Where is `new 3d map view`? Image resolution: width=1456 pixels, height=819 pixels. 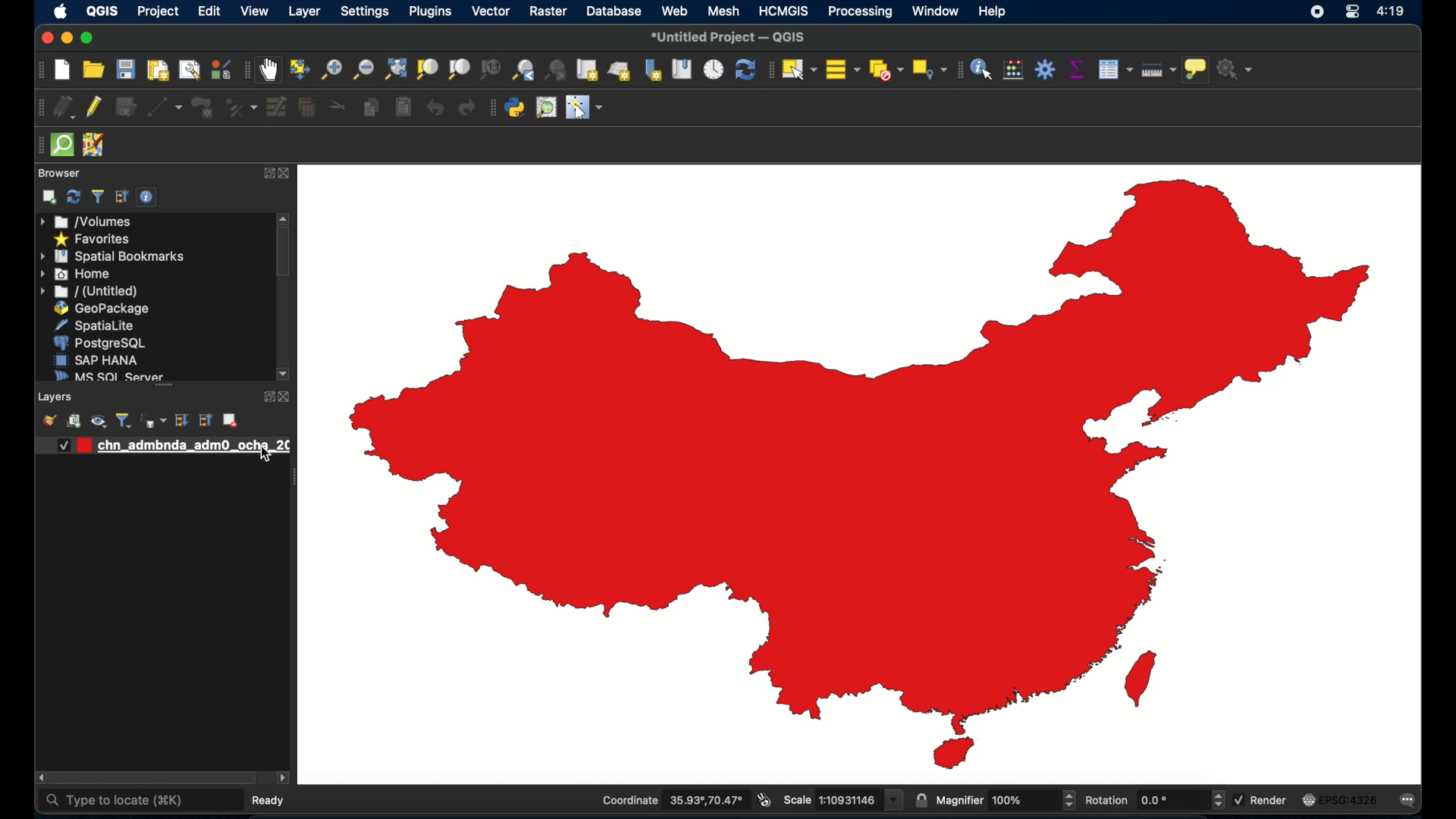
new 3d map view is located at coordinates (620, 71).